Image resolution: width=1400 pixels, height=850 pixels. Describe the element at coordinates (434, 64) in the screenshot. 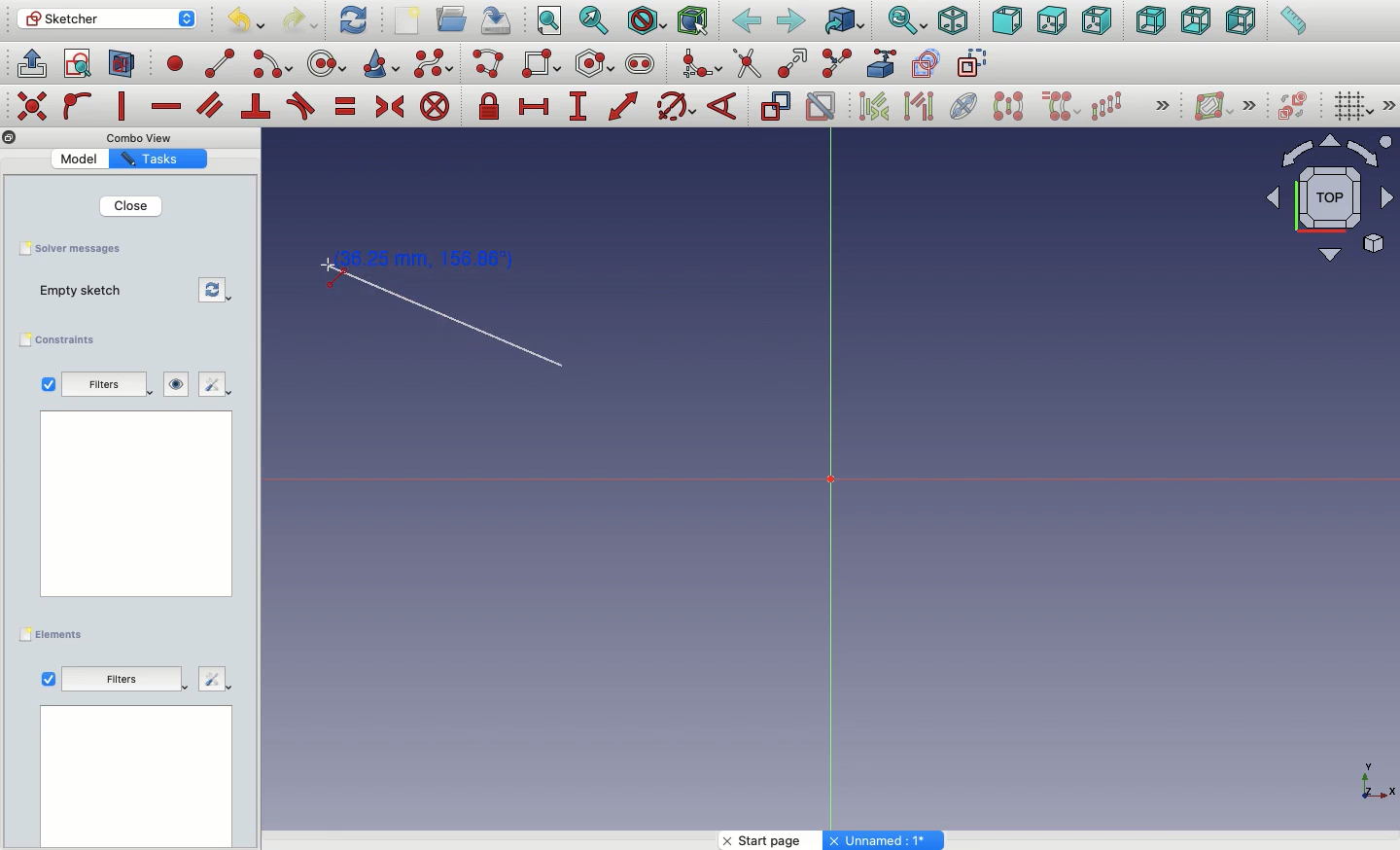

I see `B-spline` at that location.